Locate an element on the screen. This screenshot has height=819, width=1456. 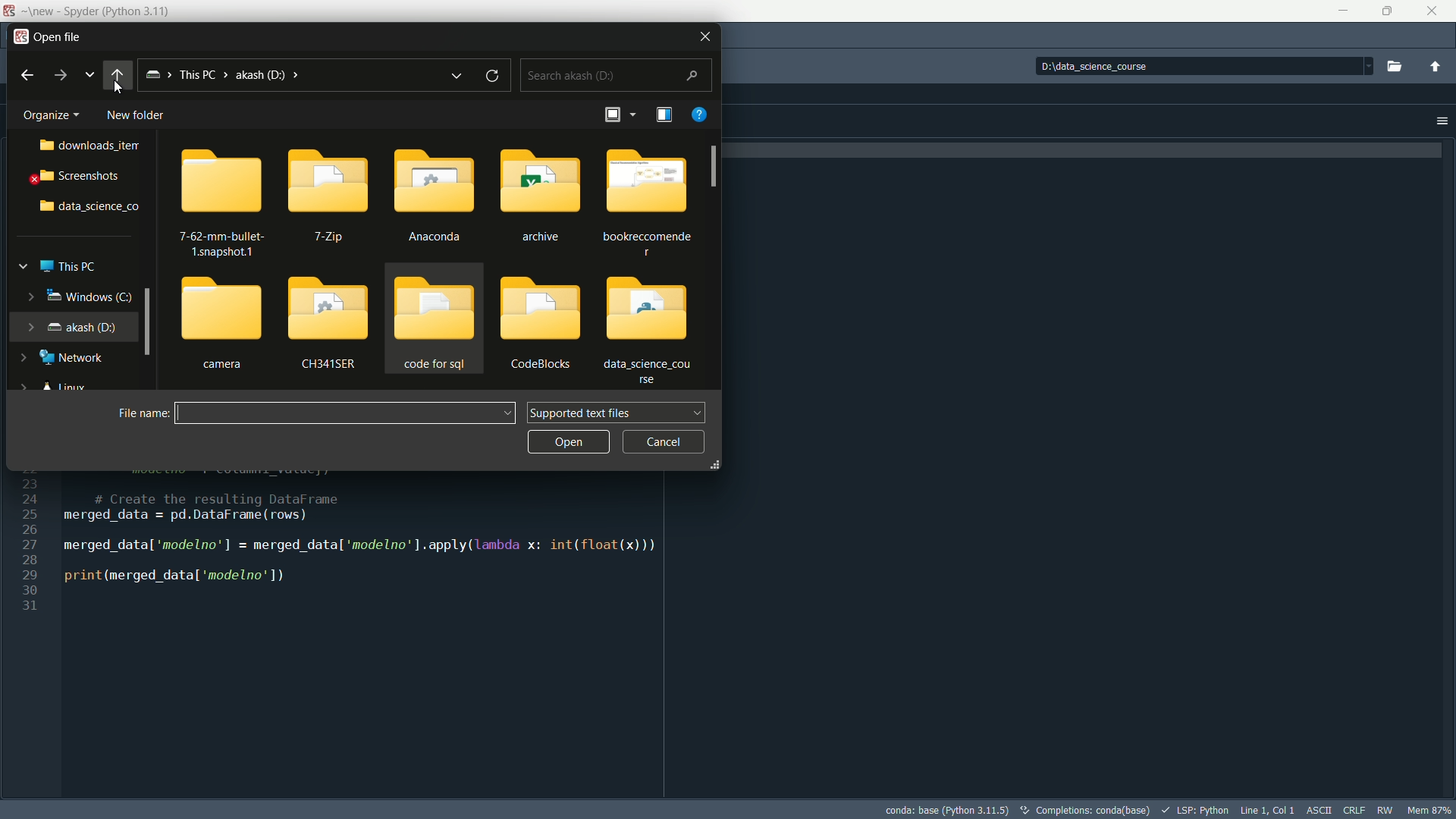
memory usage is located at coordinates (1429, 809).